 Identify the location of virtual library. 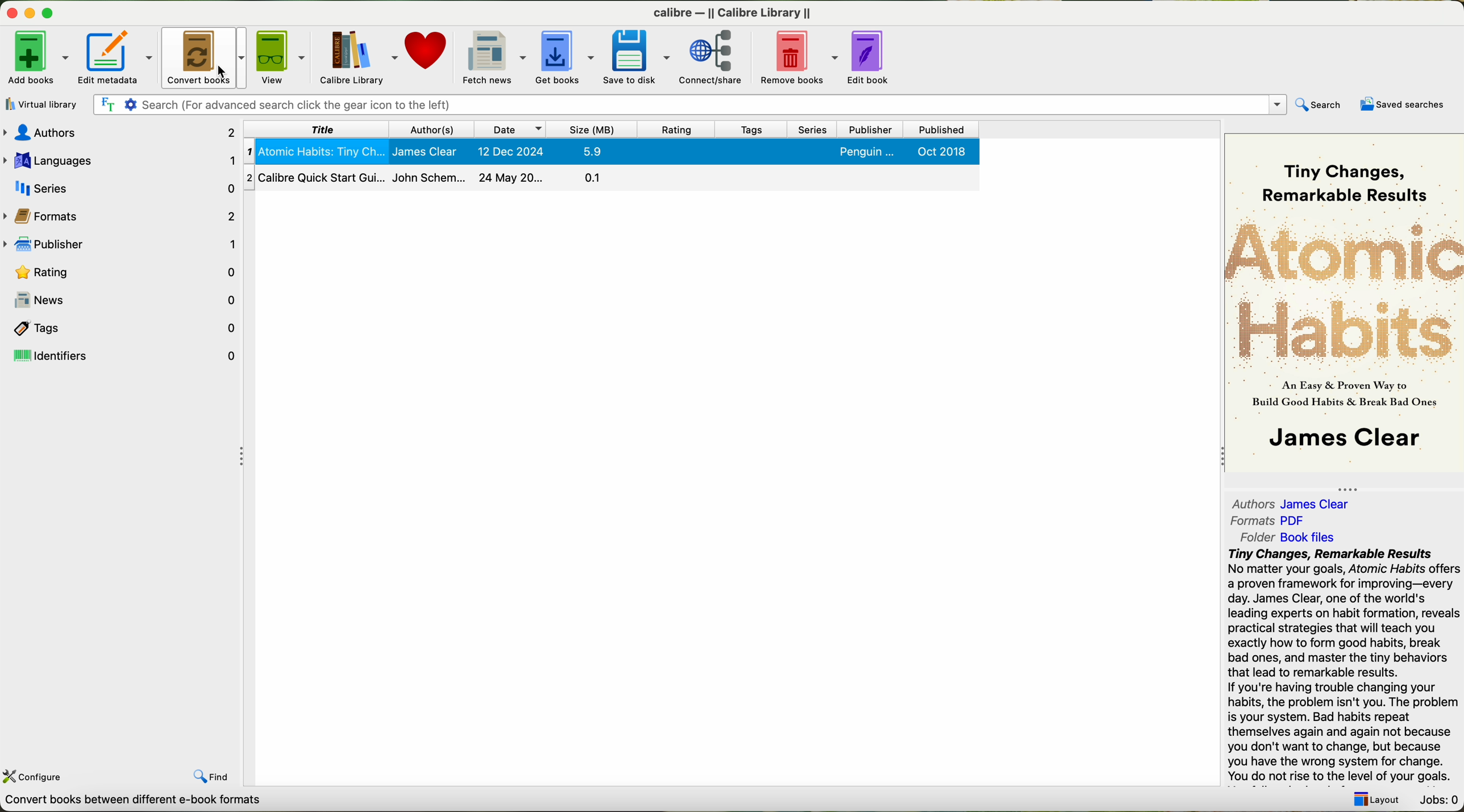
(42, 104).